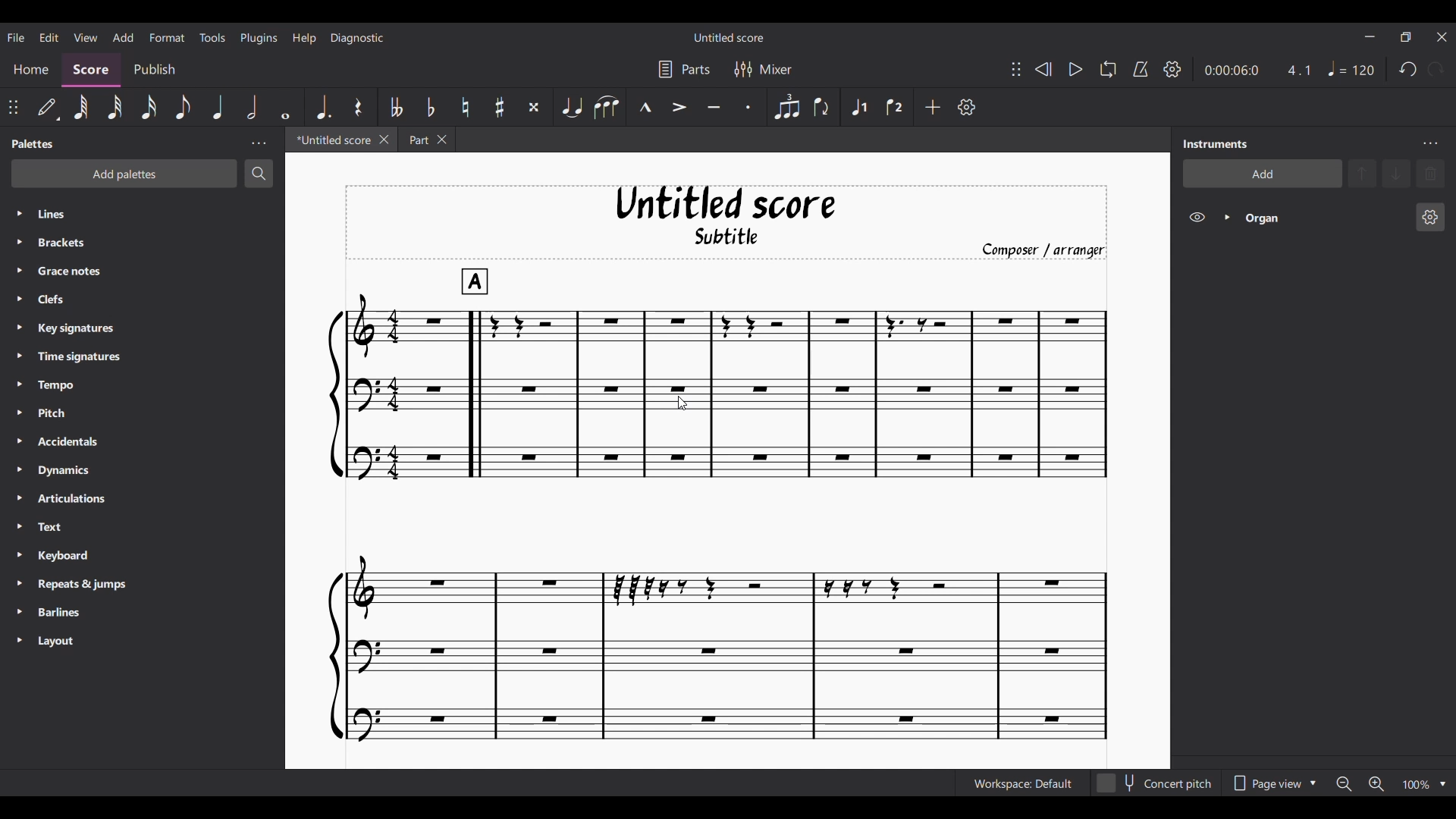 The width and height of the screenshot is (1456, 819). I want to click on Marcato, so click(645, 108).